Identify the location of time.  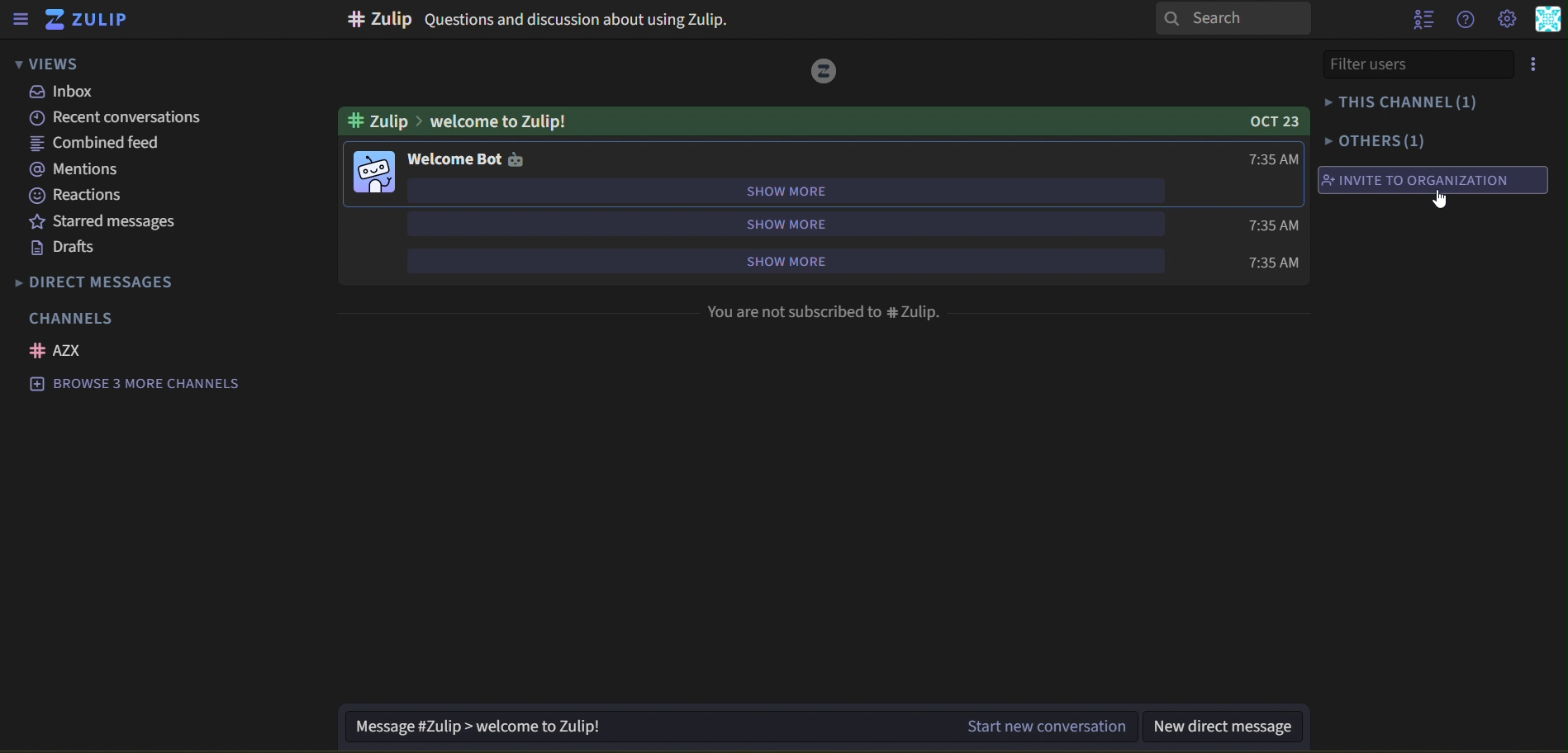
(1270, 224).